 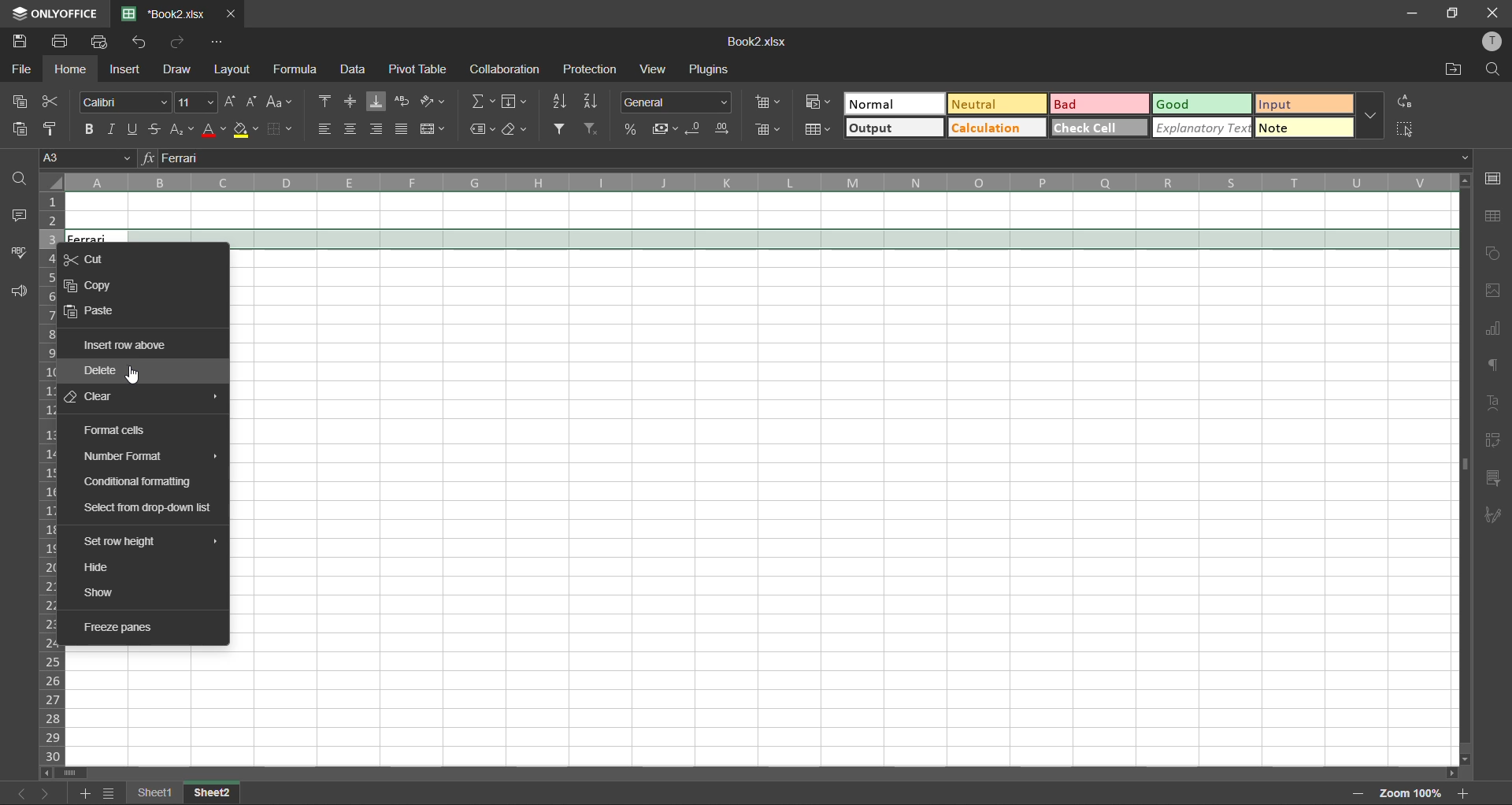 What do you see at coordinates (70, 772) in the screenshot?
I see `scroll bar` at bounding box center [70, 772].